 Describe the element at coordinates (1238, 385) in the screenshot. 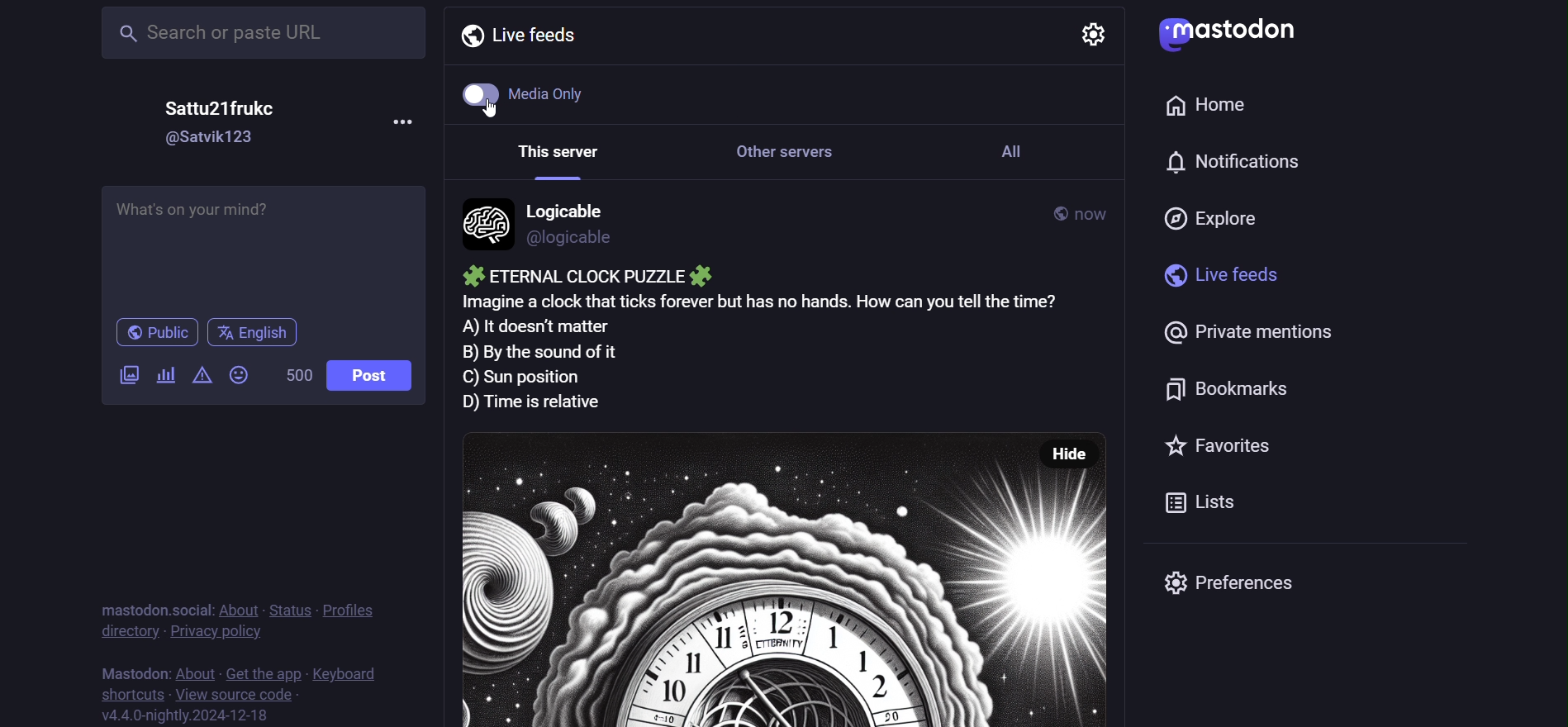

I see `bookmark` at that location.